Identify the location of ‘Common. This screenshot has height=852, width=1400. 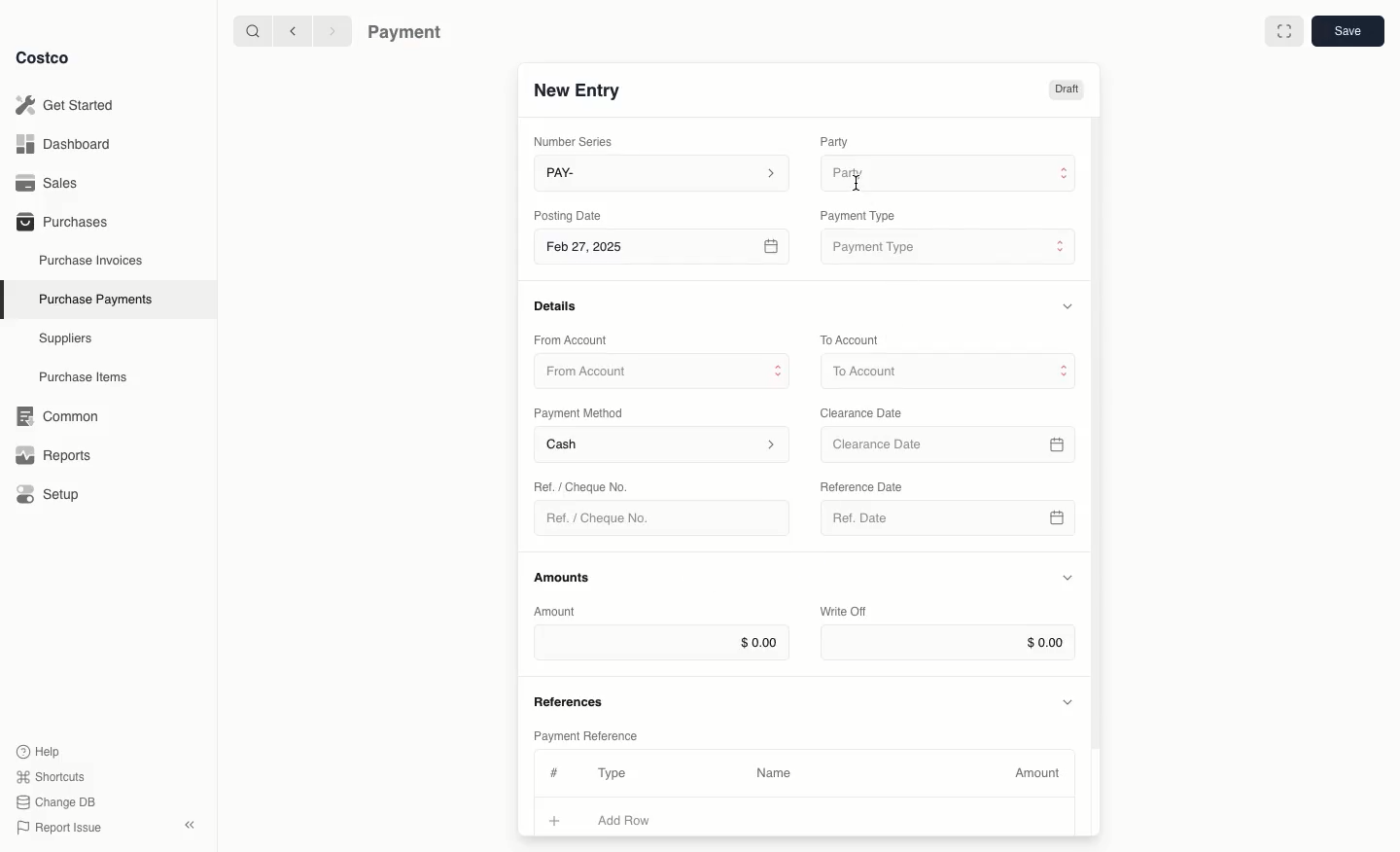
(61, 413).